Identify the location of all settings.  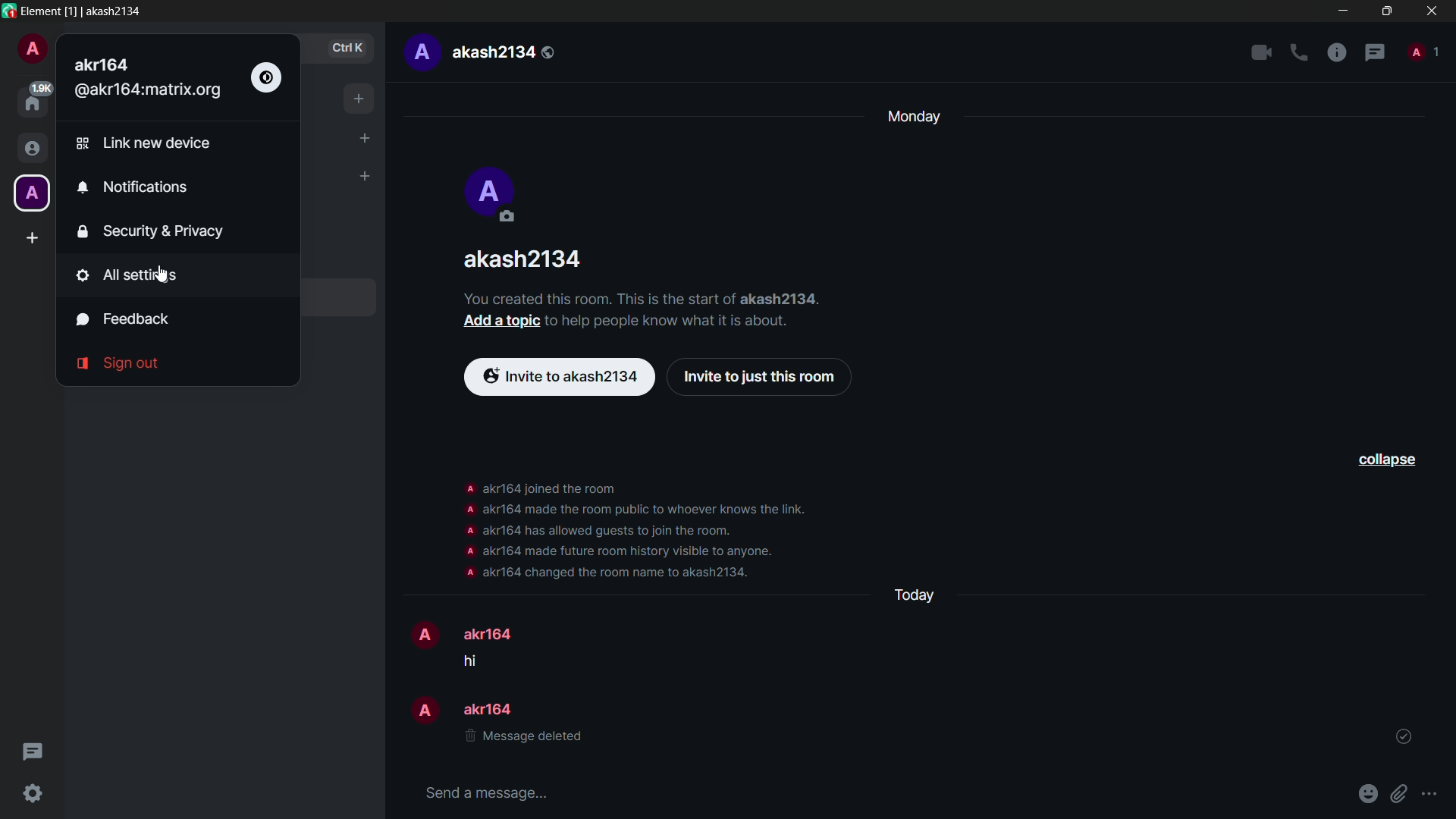
(126, 275).